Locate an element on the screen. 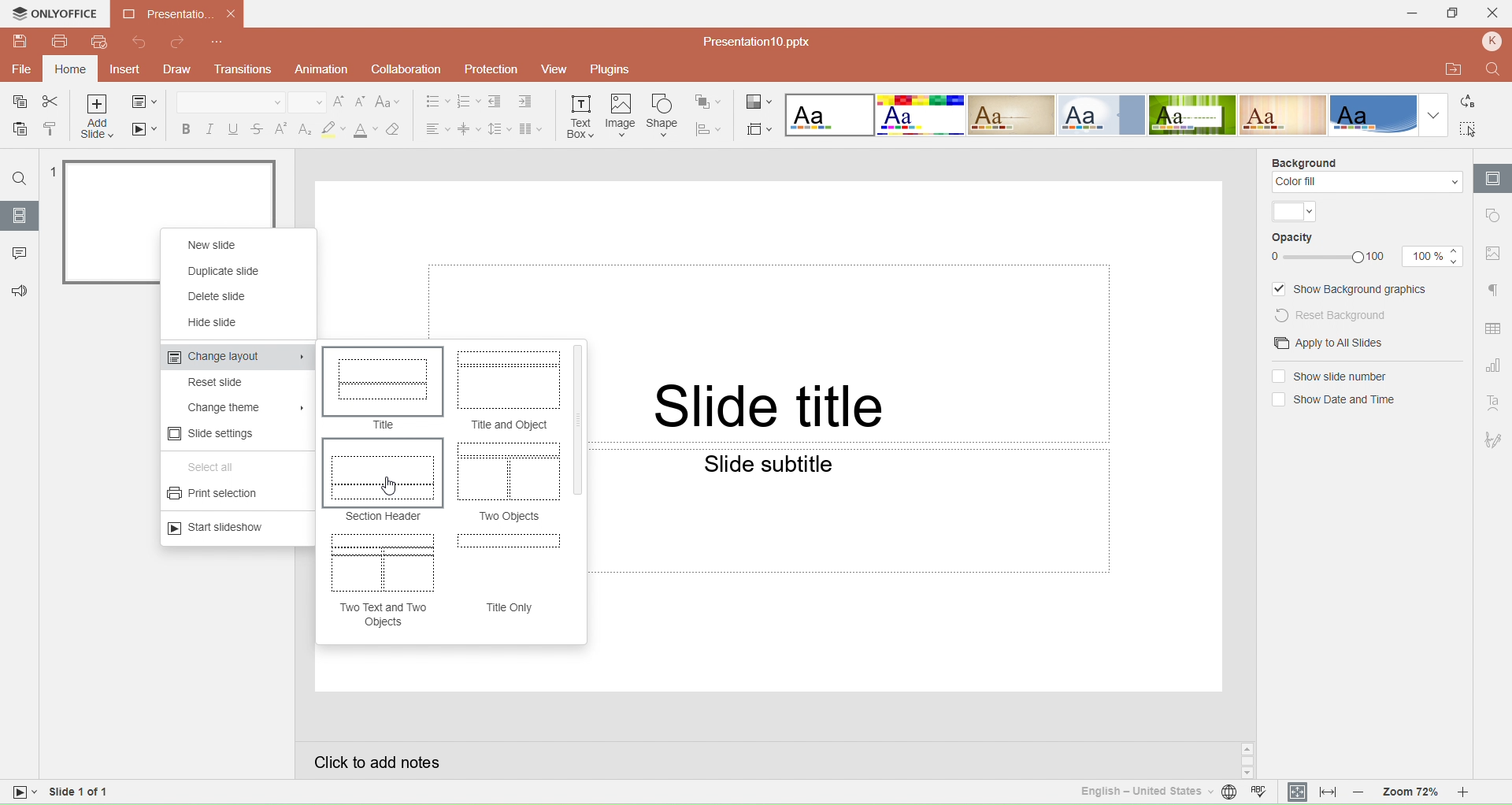 Image resolution: width=1512 pixels, height=805 pixels. Signature setting is located at coordinates (1495, 439).